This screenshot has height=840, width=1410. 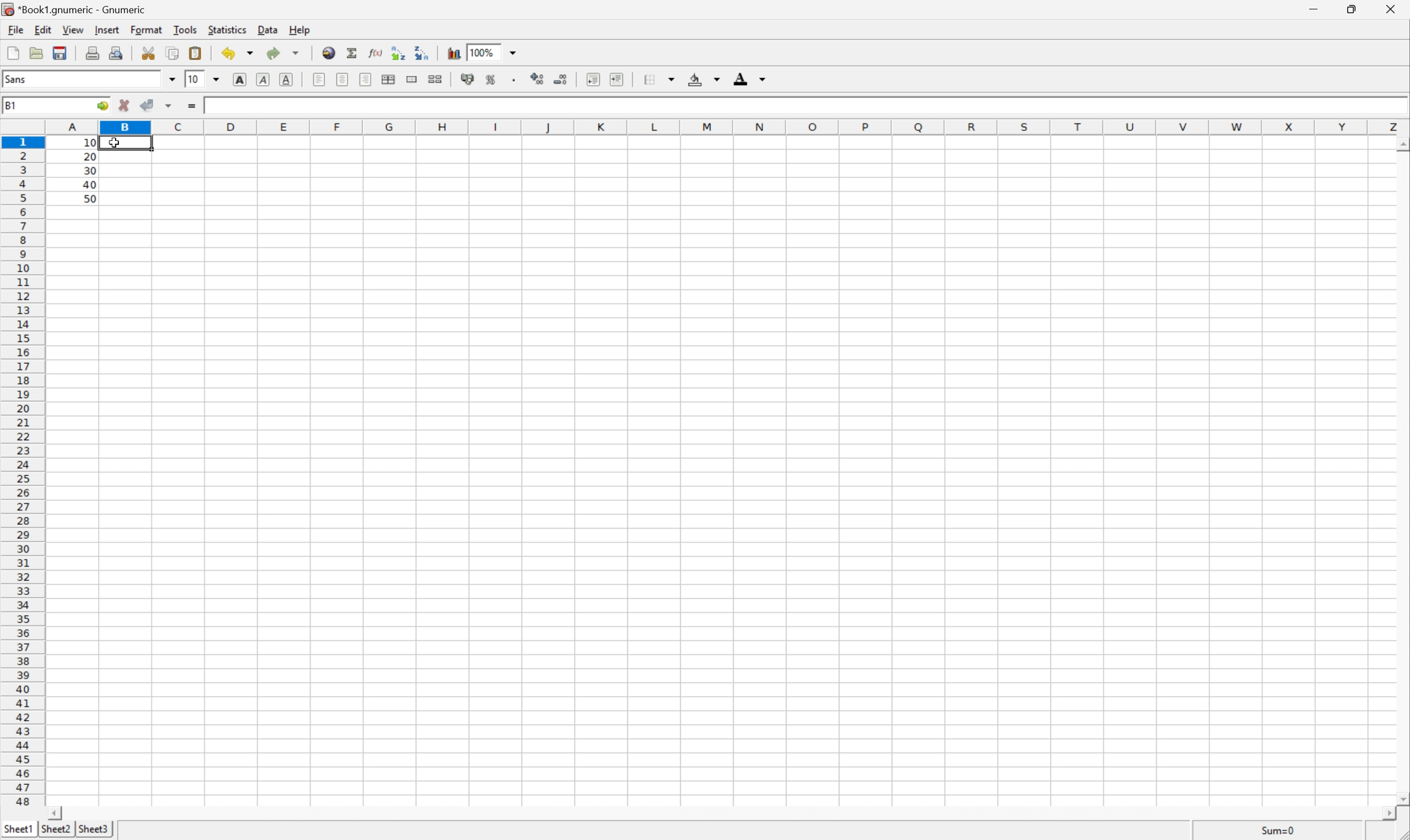 I want to click on Scroll Left, so click(x=57, y=814).